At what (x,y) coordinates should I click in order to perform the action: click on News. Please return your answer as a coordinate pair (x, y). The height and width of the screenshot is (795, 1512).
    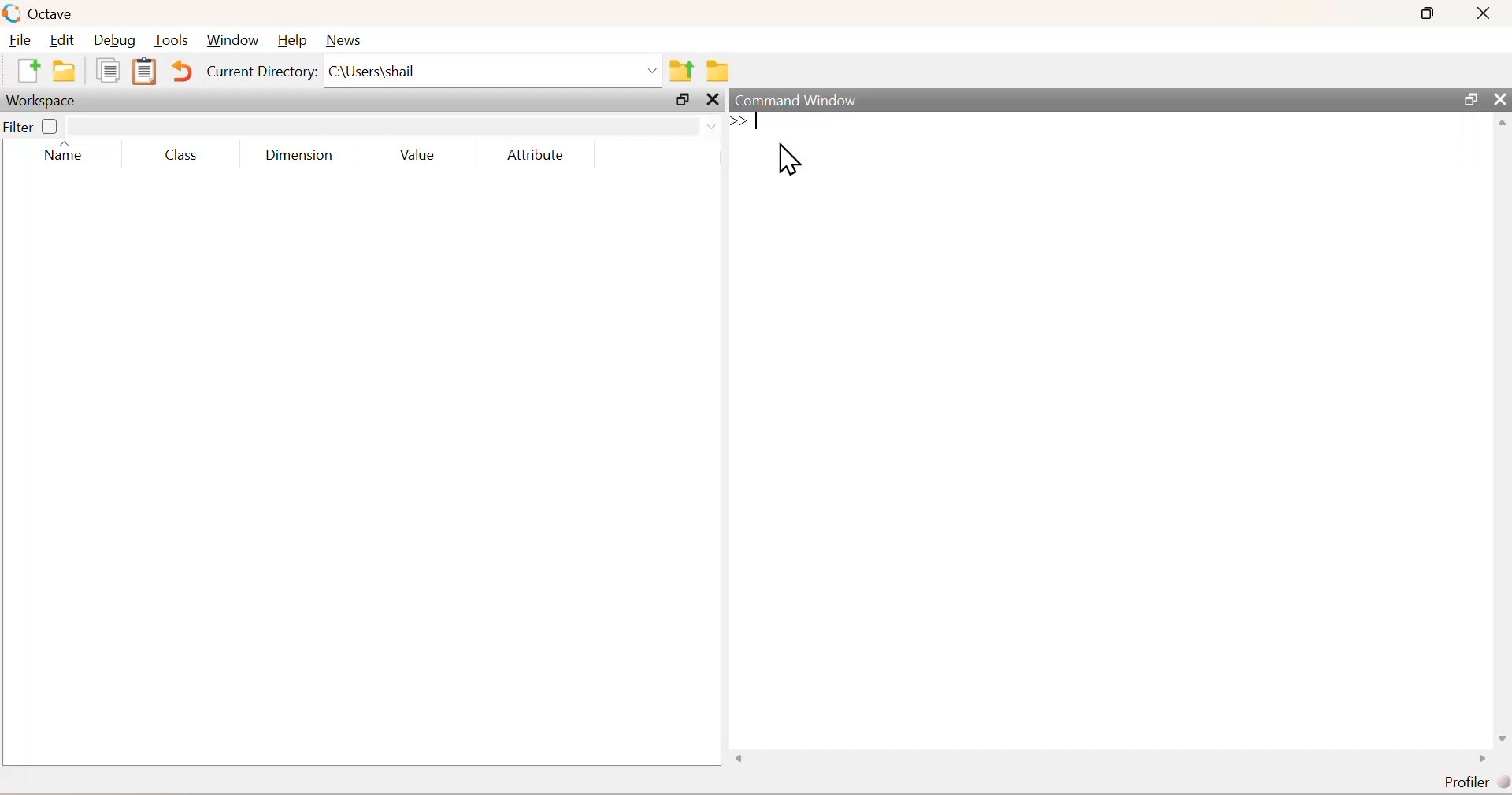
    Looking at the image, I should click on (342, 41).